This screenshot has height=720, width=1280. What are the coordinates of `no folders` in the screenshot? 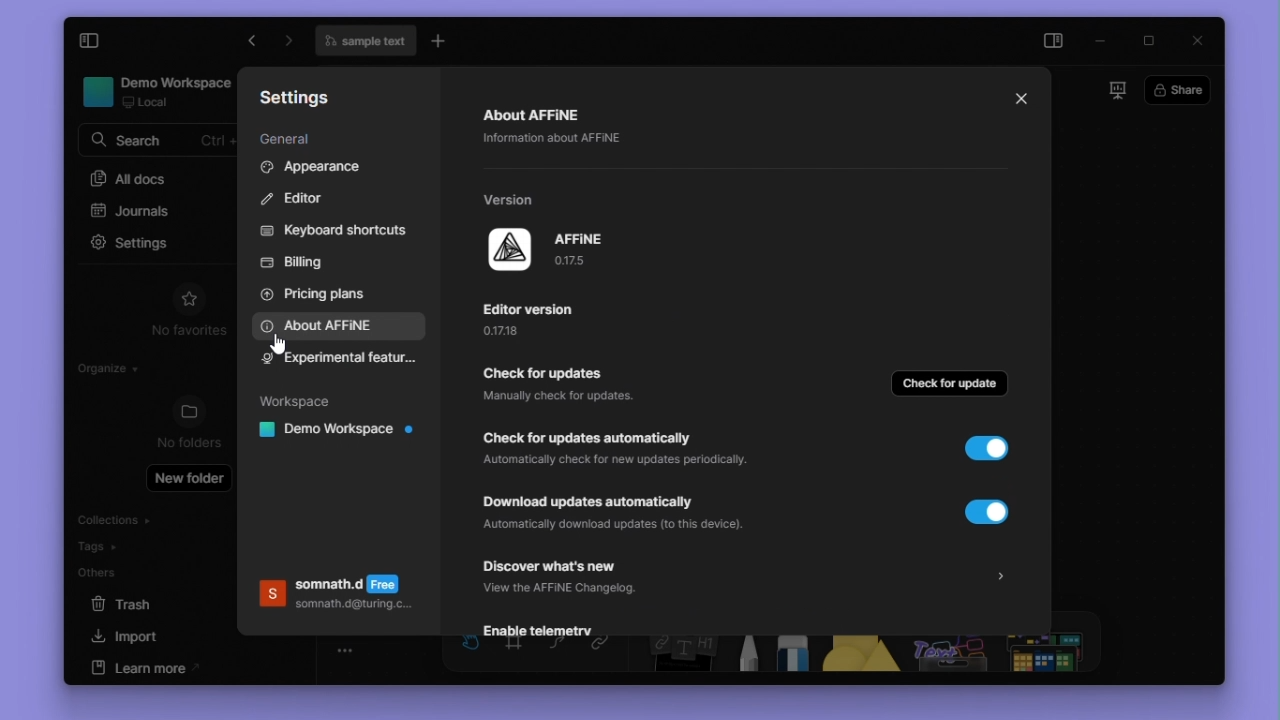 It's located at (190, 444).